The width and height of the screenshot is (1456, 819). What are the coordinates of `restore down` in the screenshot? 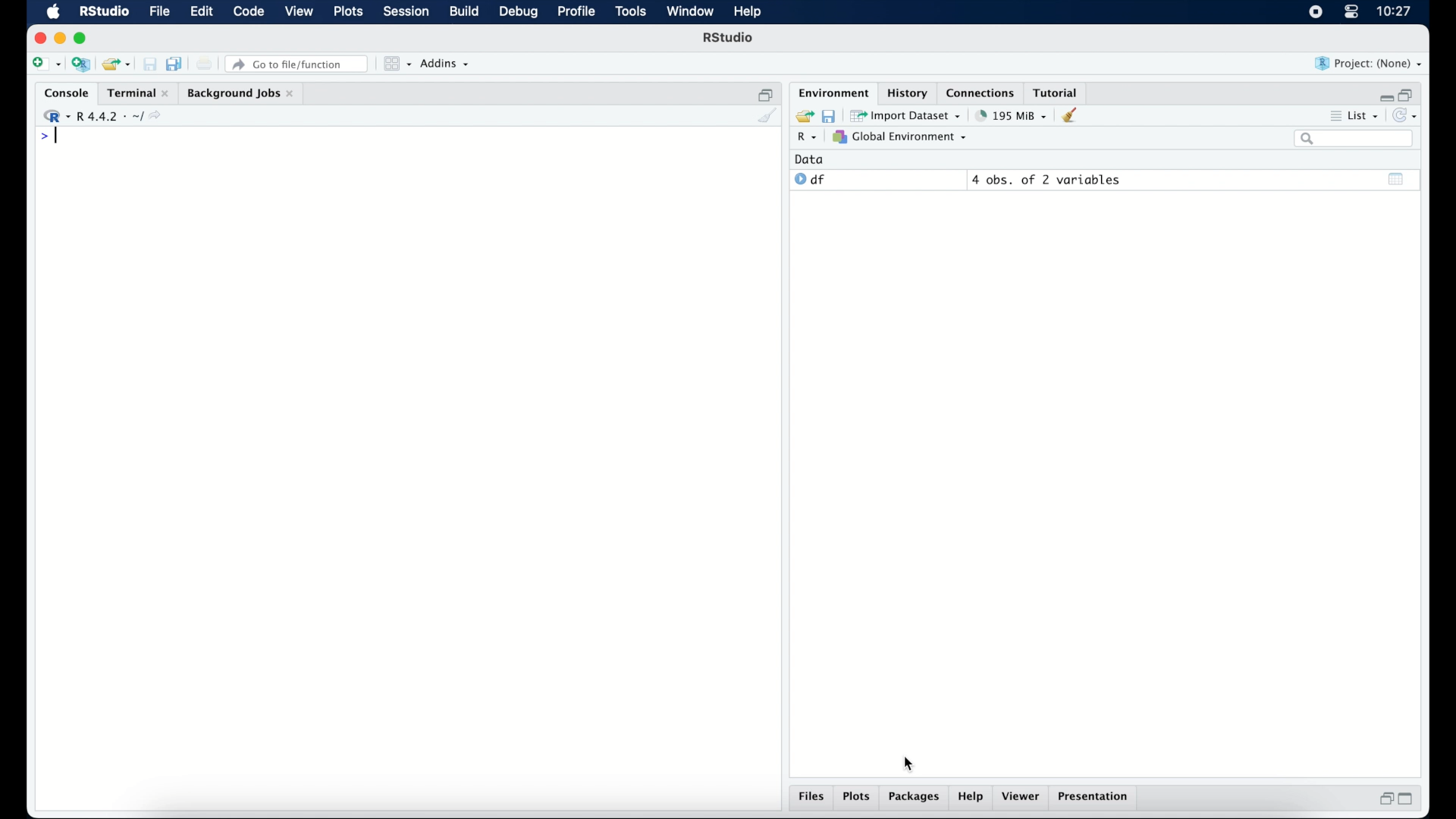 It's located at (766, 93).